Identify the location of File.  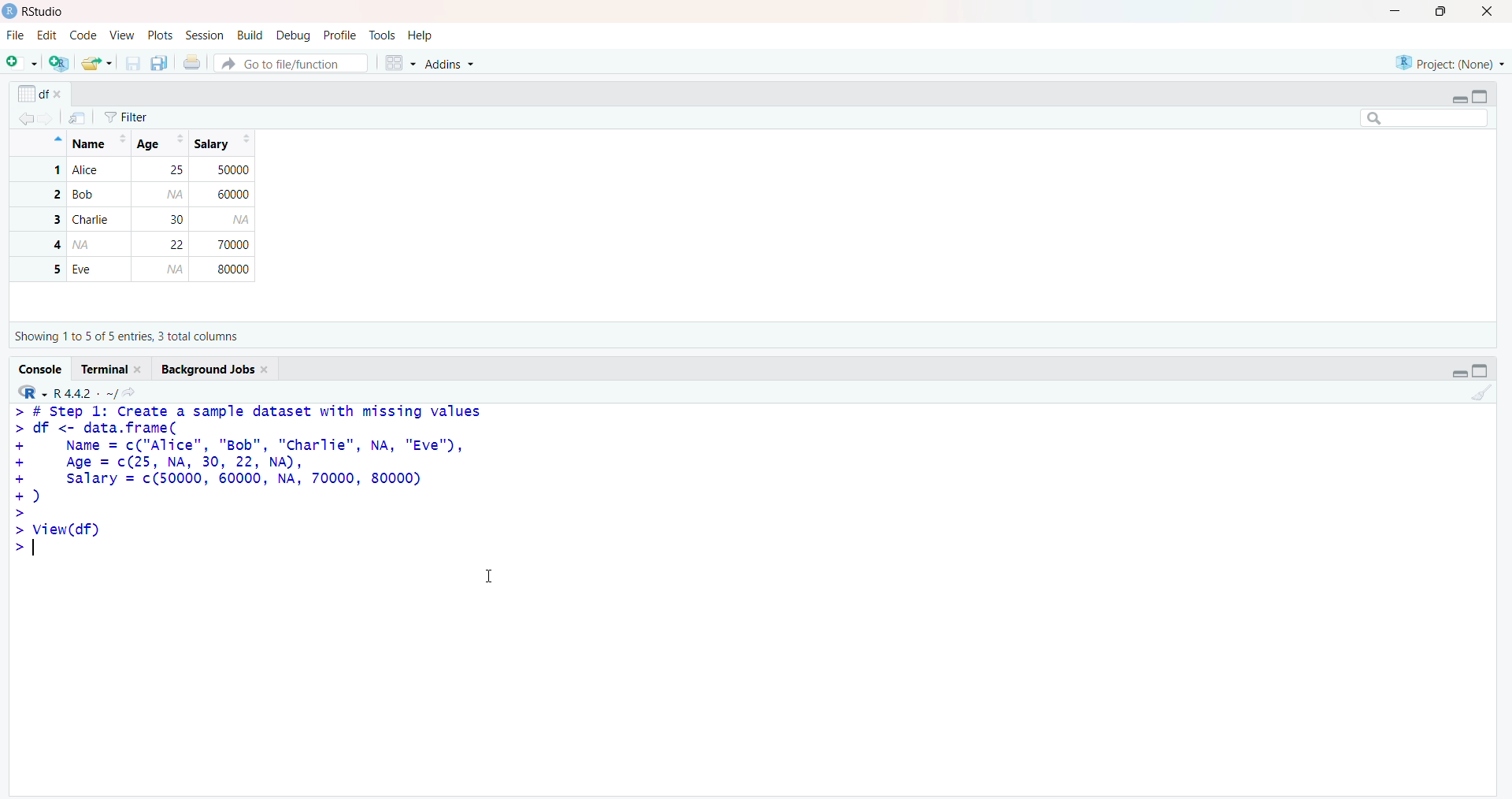
(16, 35).